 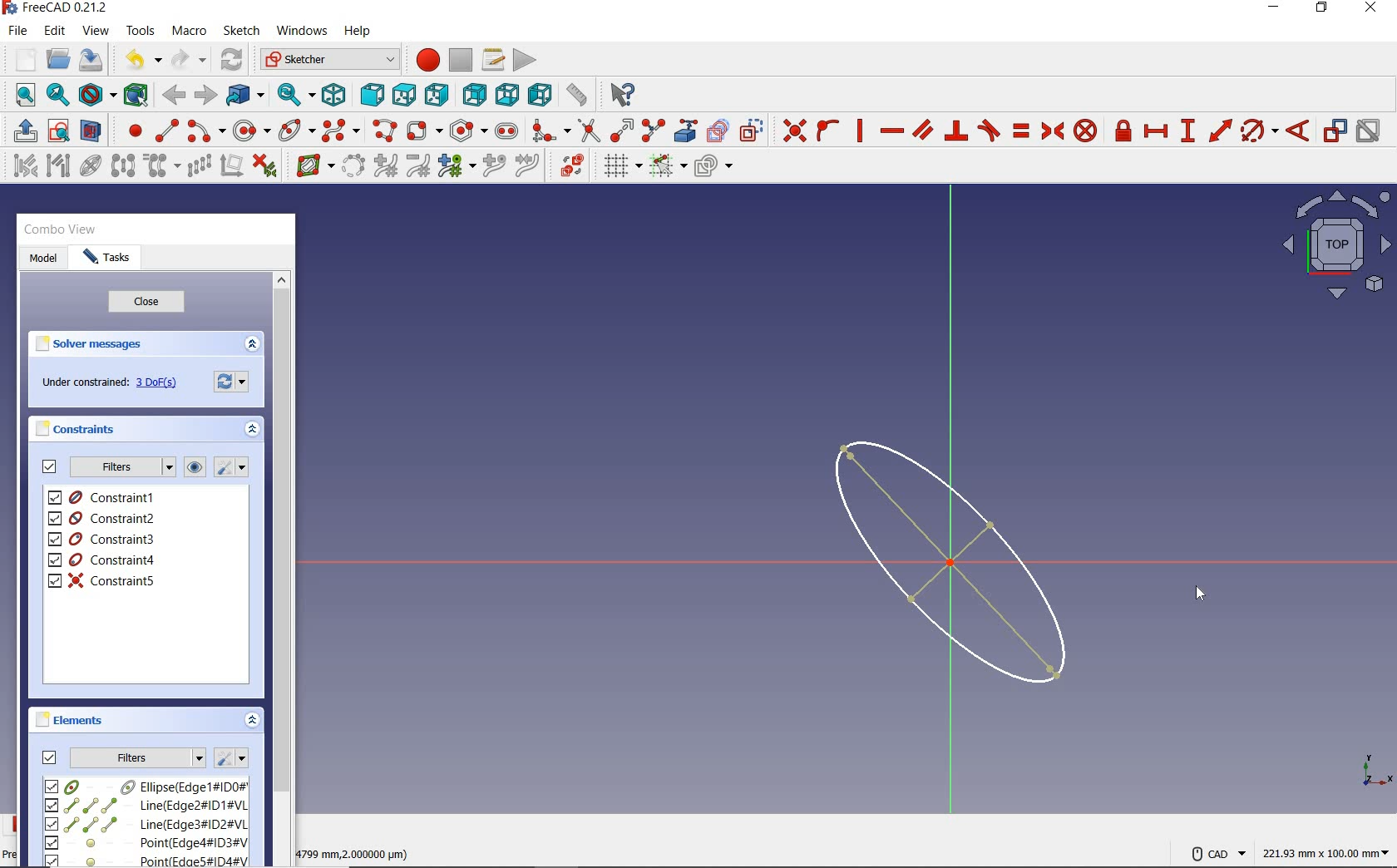 What do you see at coordinates (166, 131) in the screenshot?
I see `create line` at bounding box center [166, 131].